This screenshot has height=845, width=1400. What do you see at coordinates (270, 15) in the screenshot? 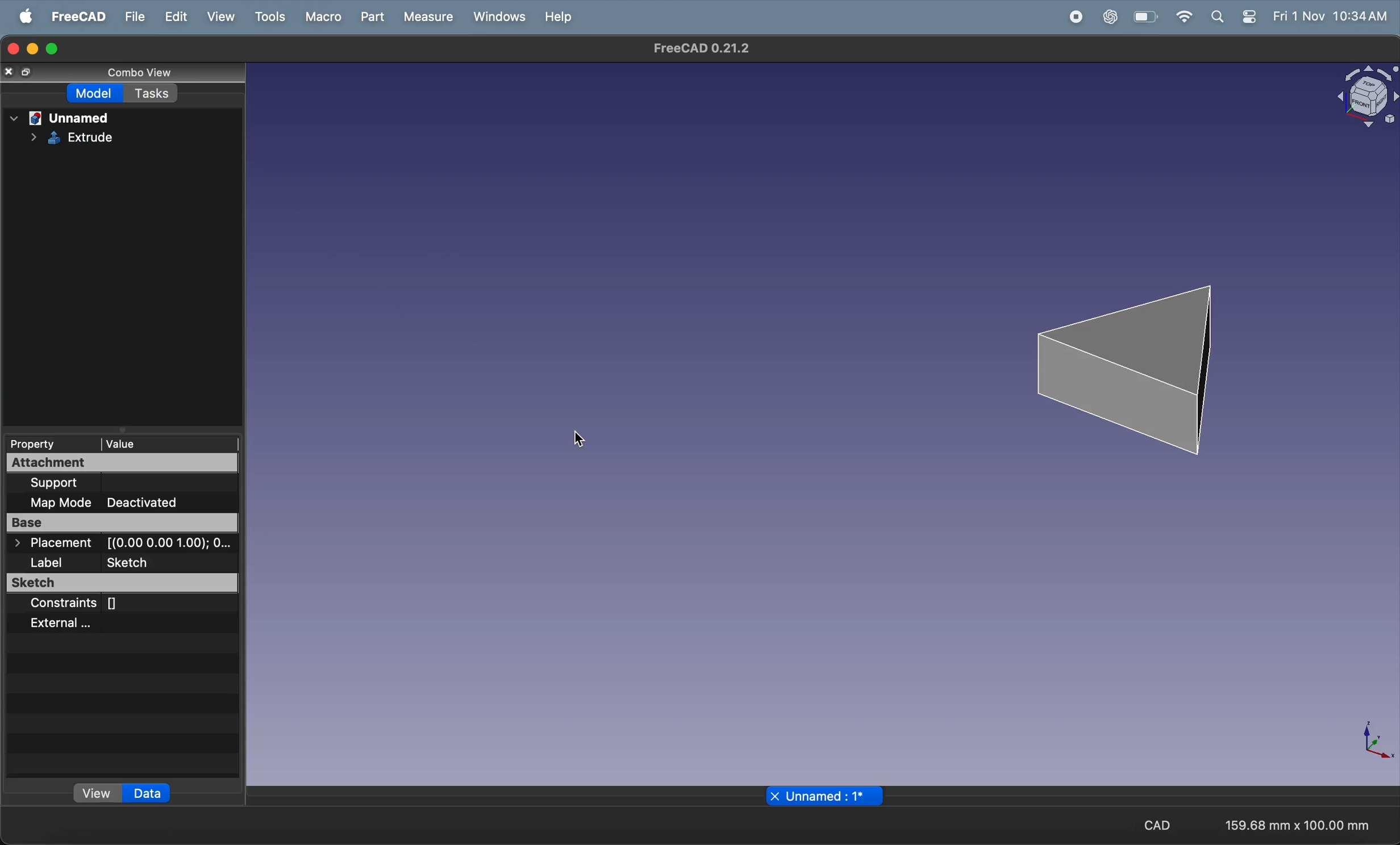
I see `tools` at bounding box center [270, 15].